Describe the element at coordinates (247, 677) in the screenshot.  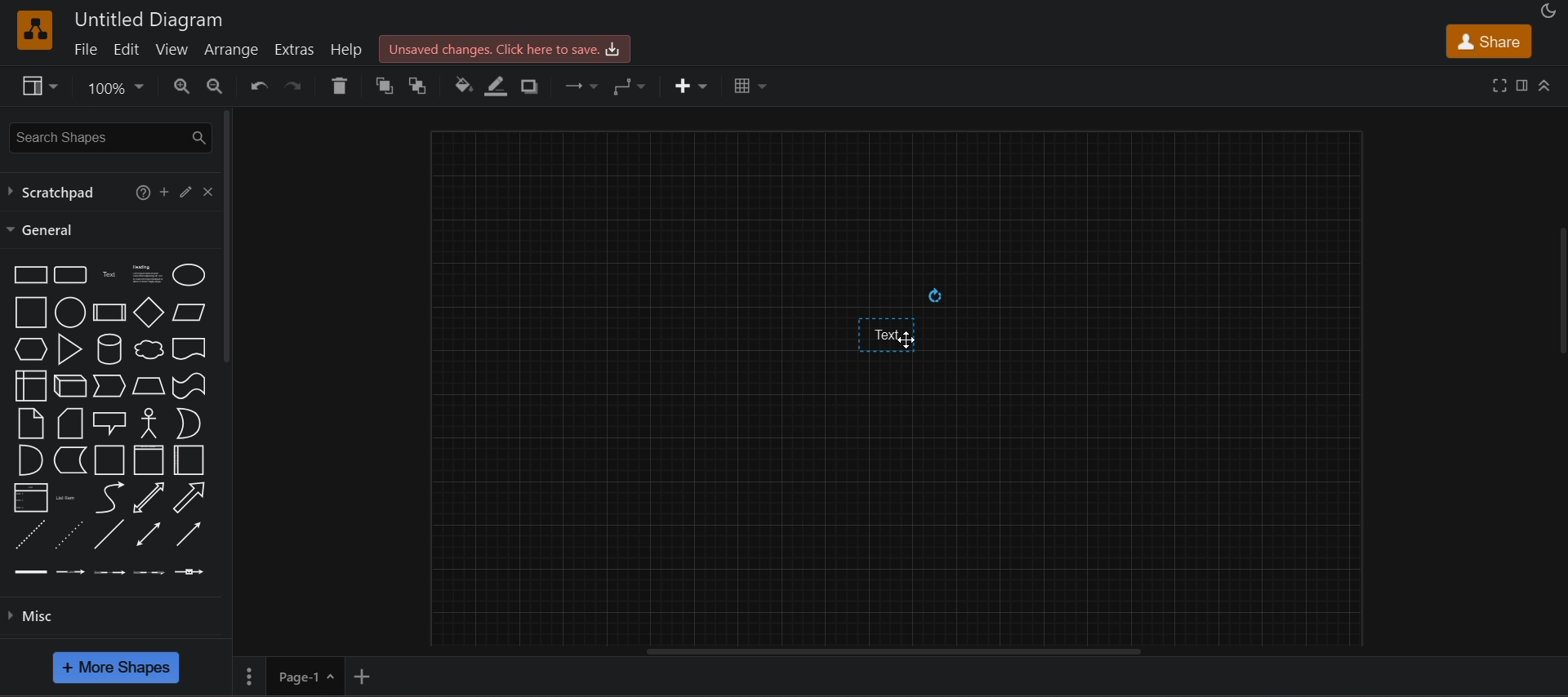
I see `more settings` at that location.